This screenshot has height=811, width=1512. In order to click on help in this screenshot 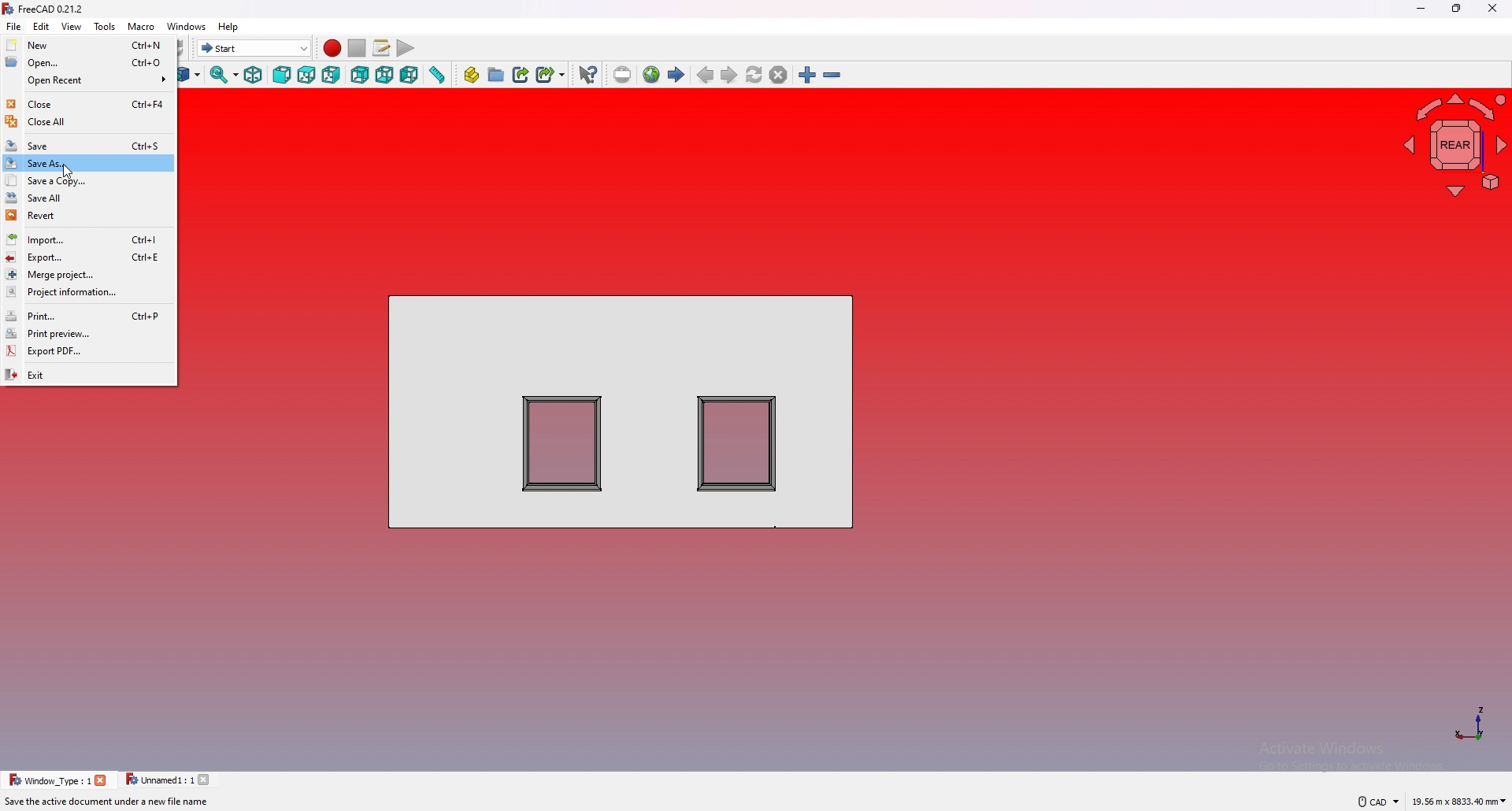, I will do `click(229, 27)`.